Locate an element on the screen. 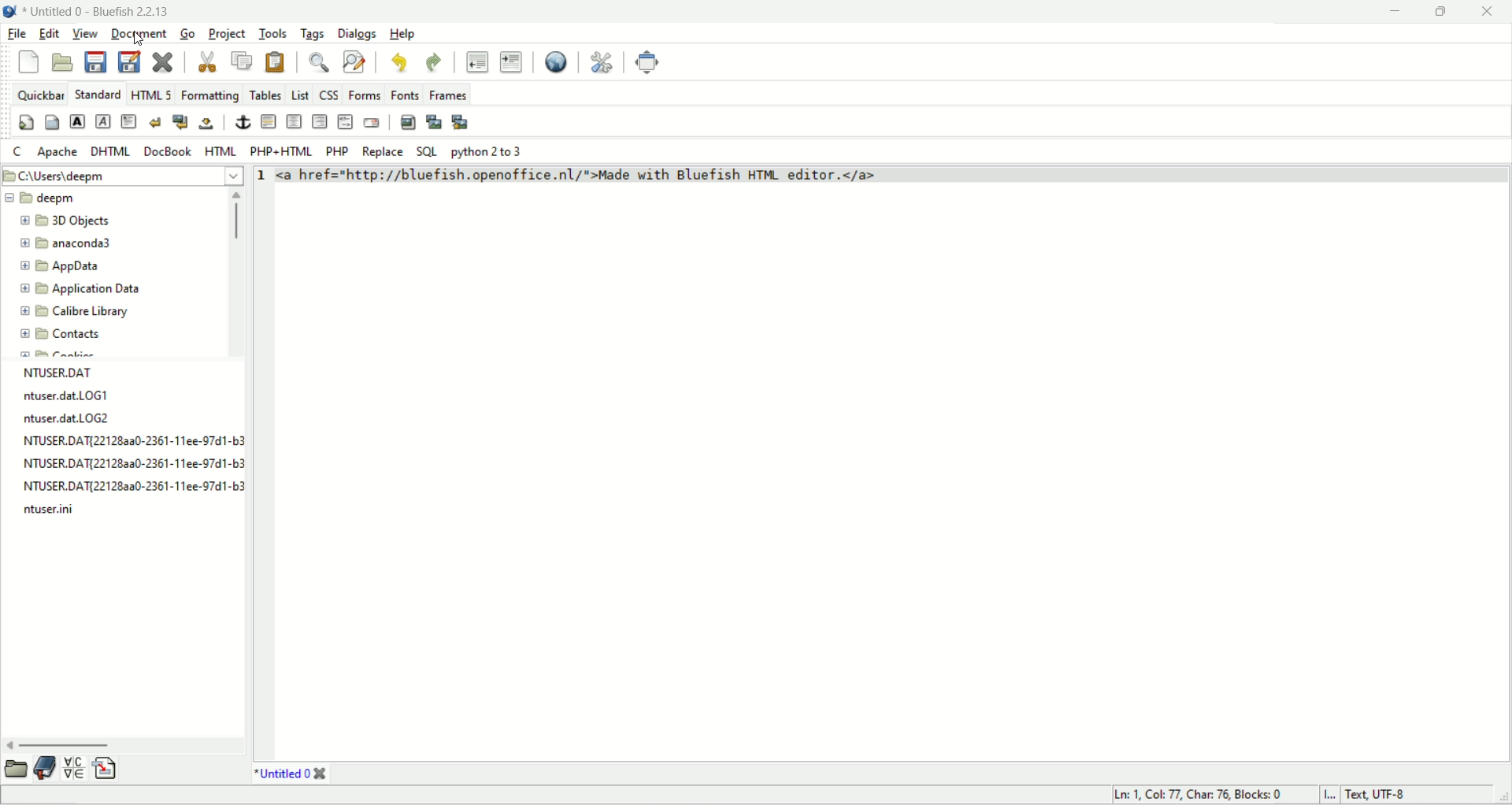  break is located at coordinates (154, 120).